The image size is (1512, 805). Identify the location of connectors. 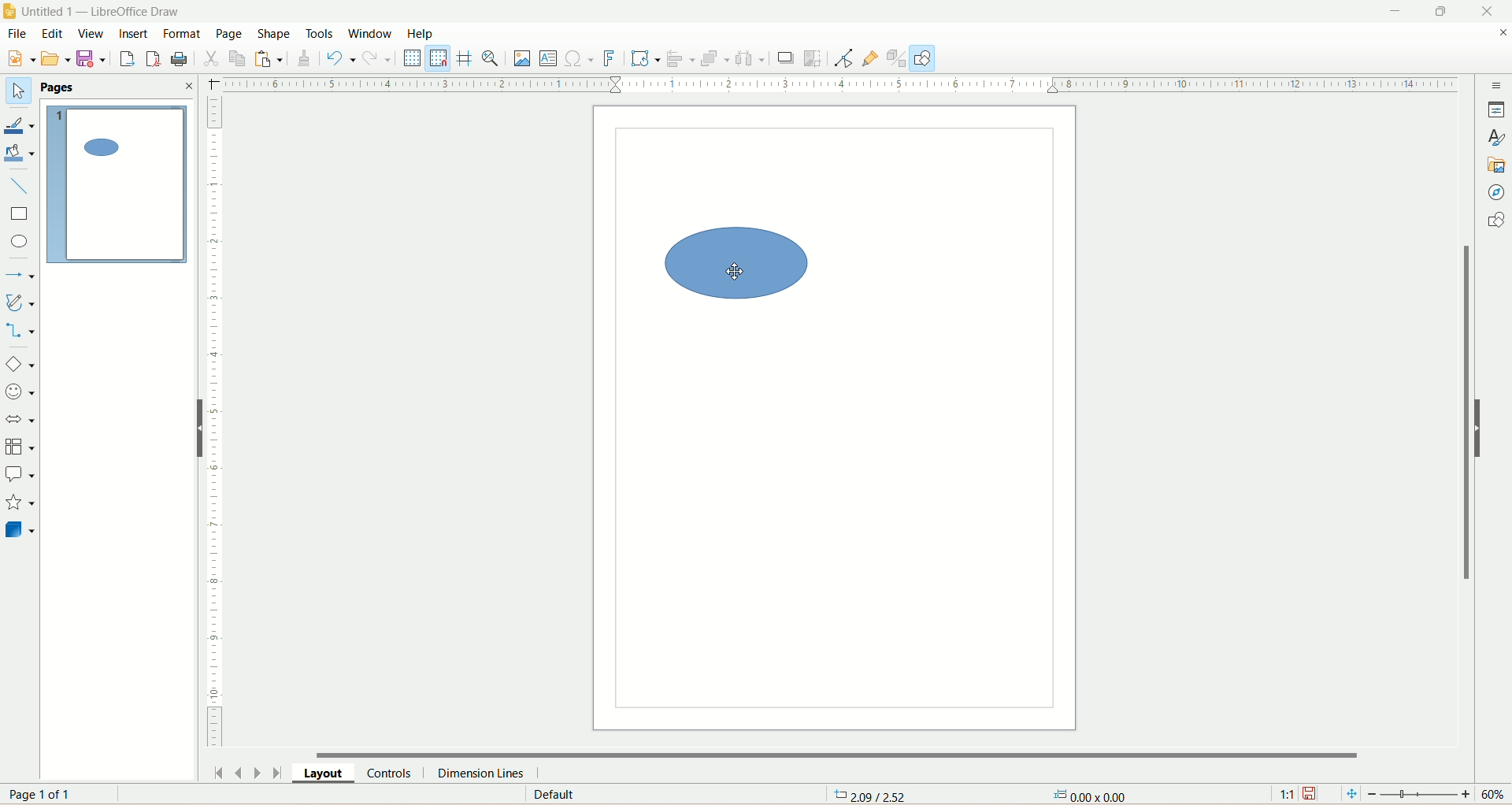
(21, 331).